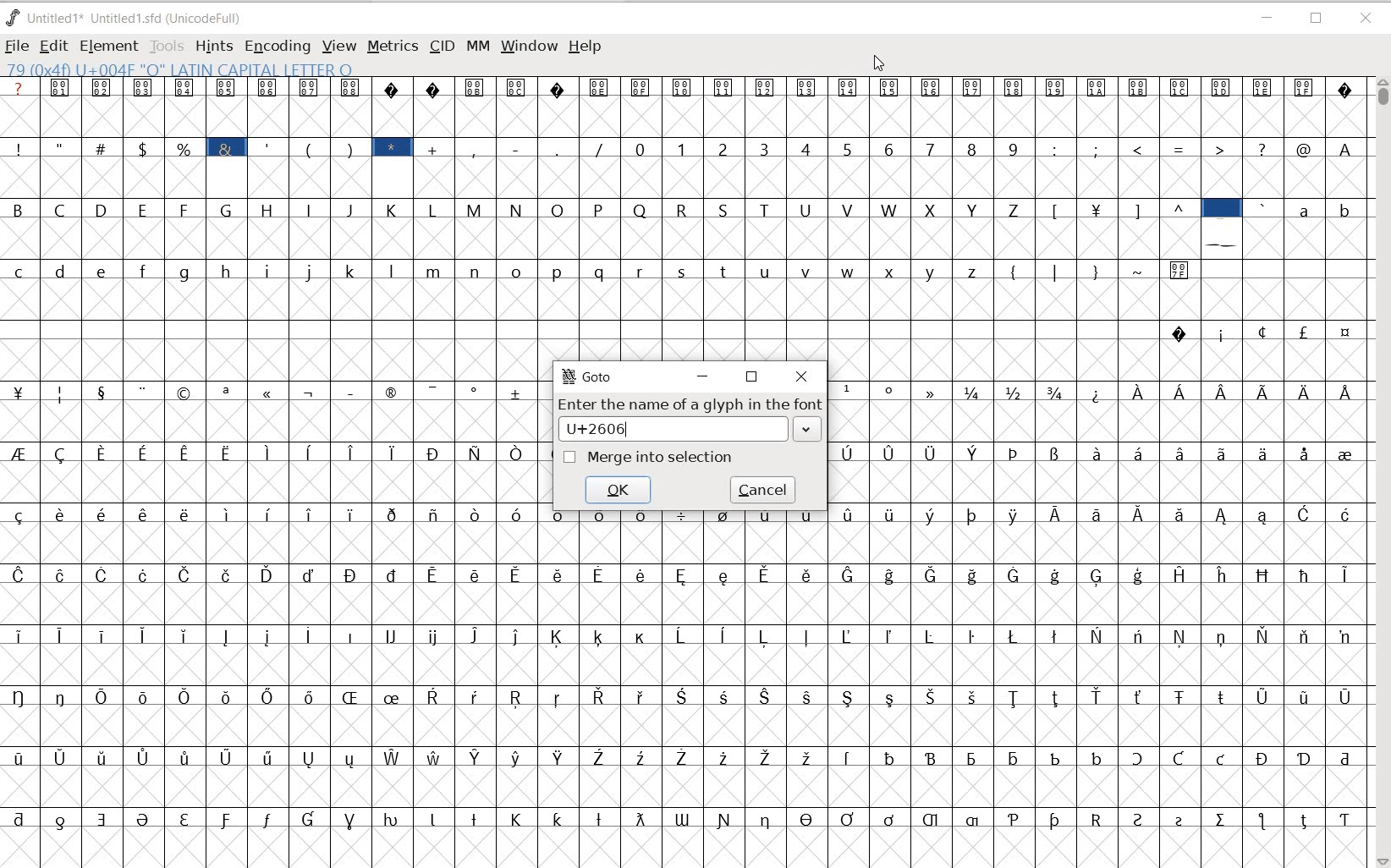 Image resolution: width=1391 pixels, height=868 pixels. What do you see at coordinates (751, 378) in the screenshot?
I see `restore` at bounding box center [751, 378].